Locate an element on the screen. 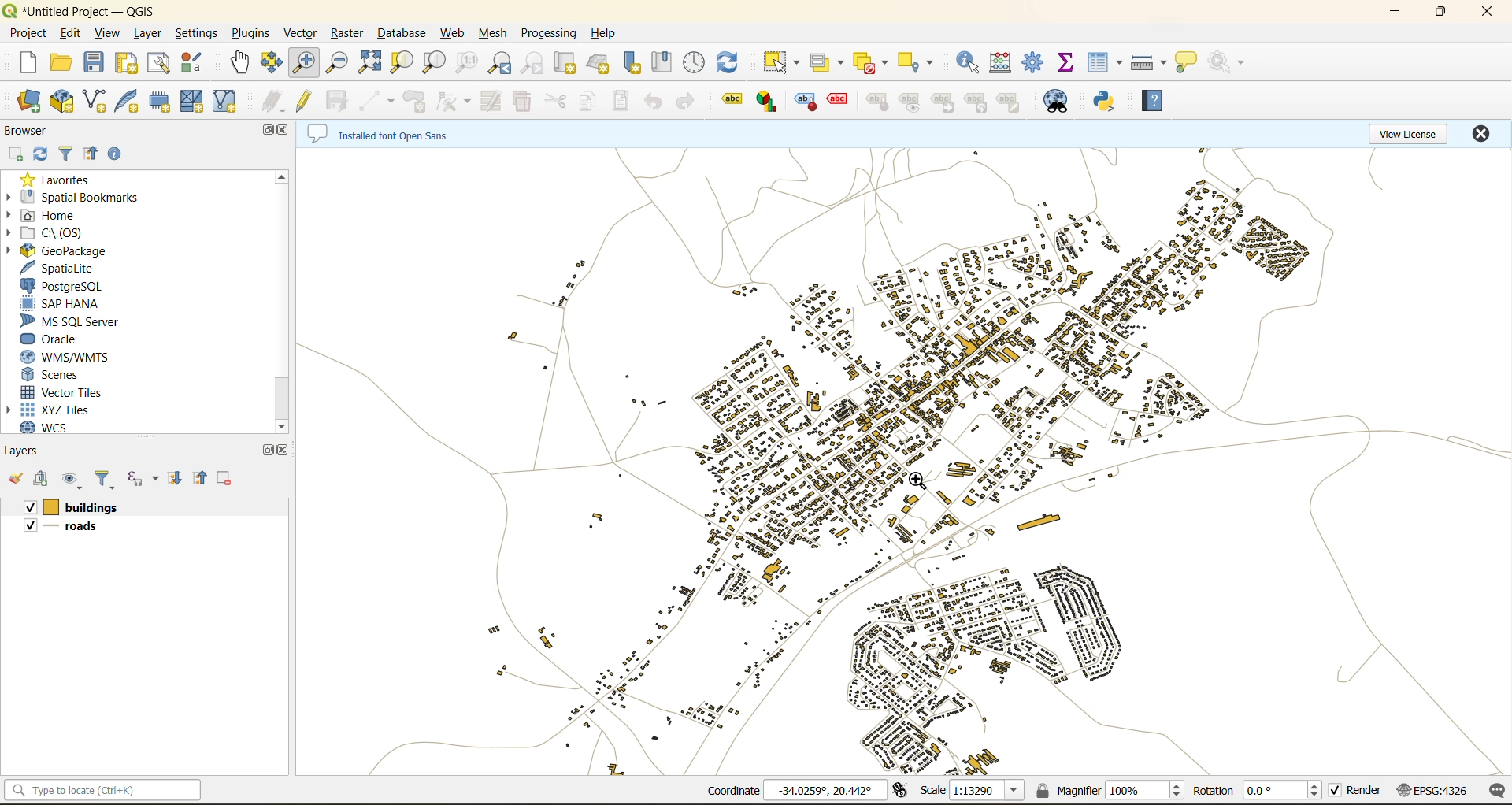 The image size is (1512, 805). statistical summary is located at coordinates (1070, 65).